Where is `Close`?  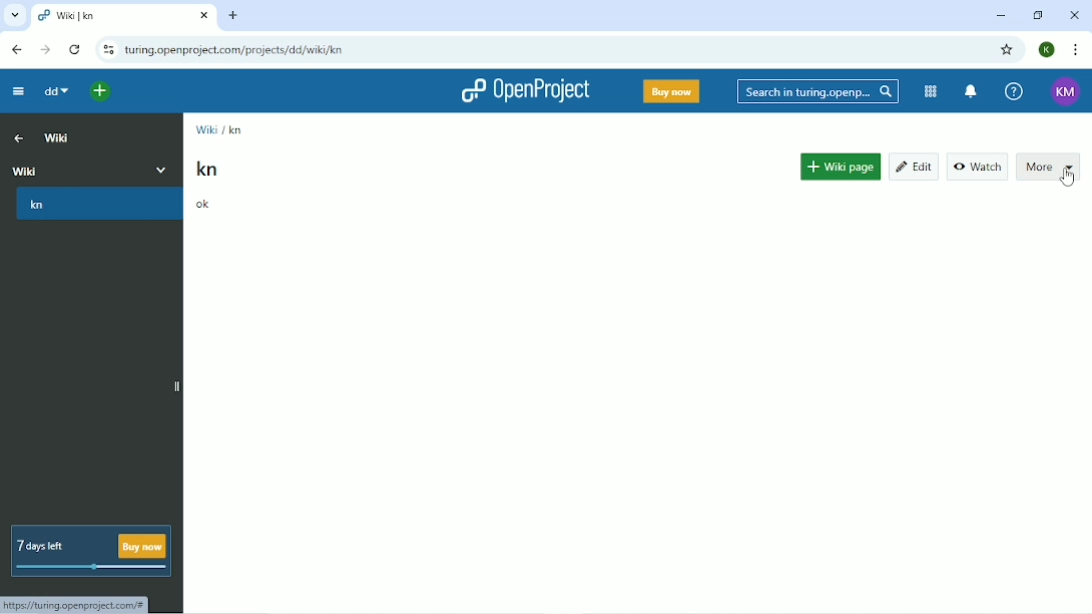
Close is located at coordinates (1072, 15).